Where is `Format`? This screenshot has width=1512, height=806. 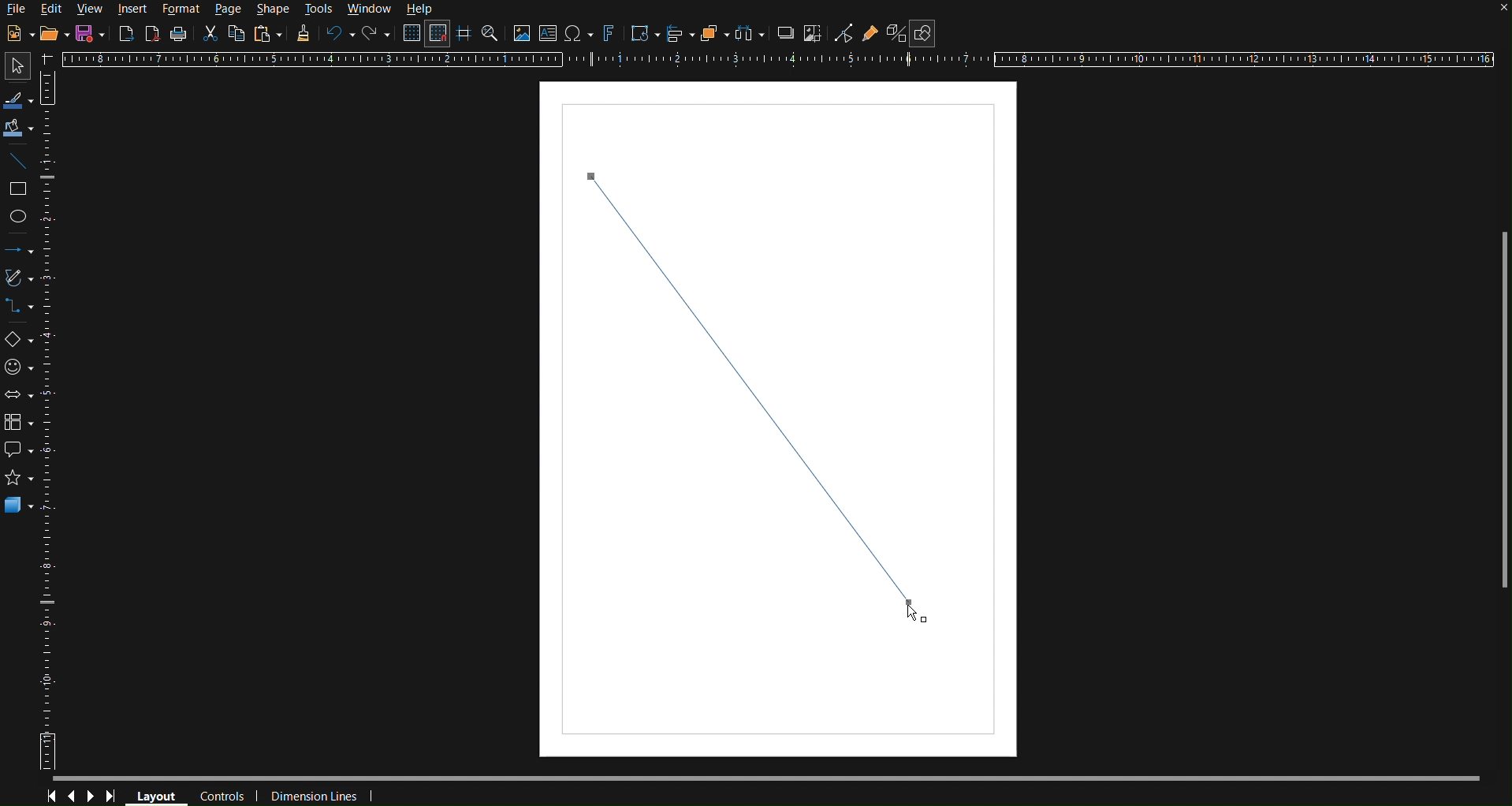 Format is located at coordinates (178, 9).